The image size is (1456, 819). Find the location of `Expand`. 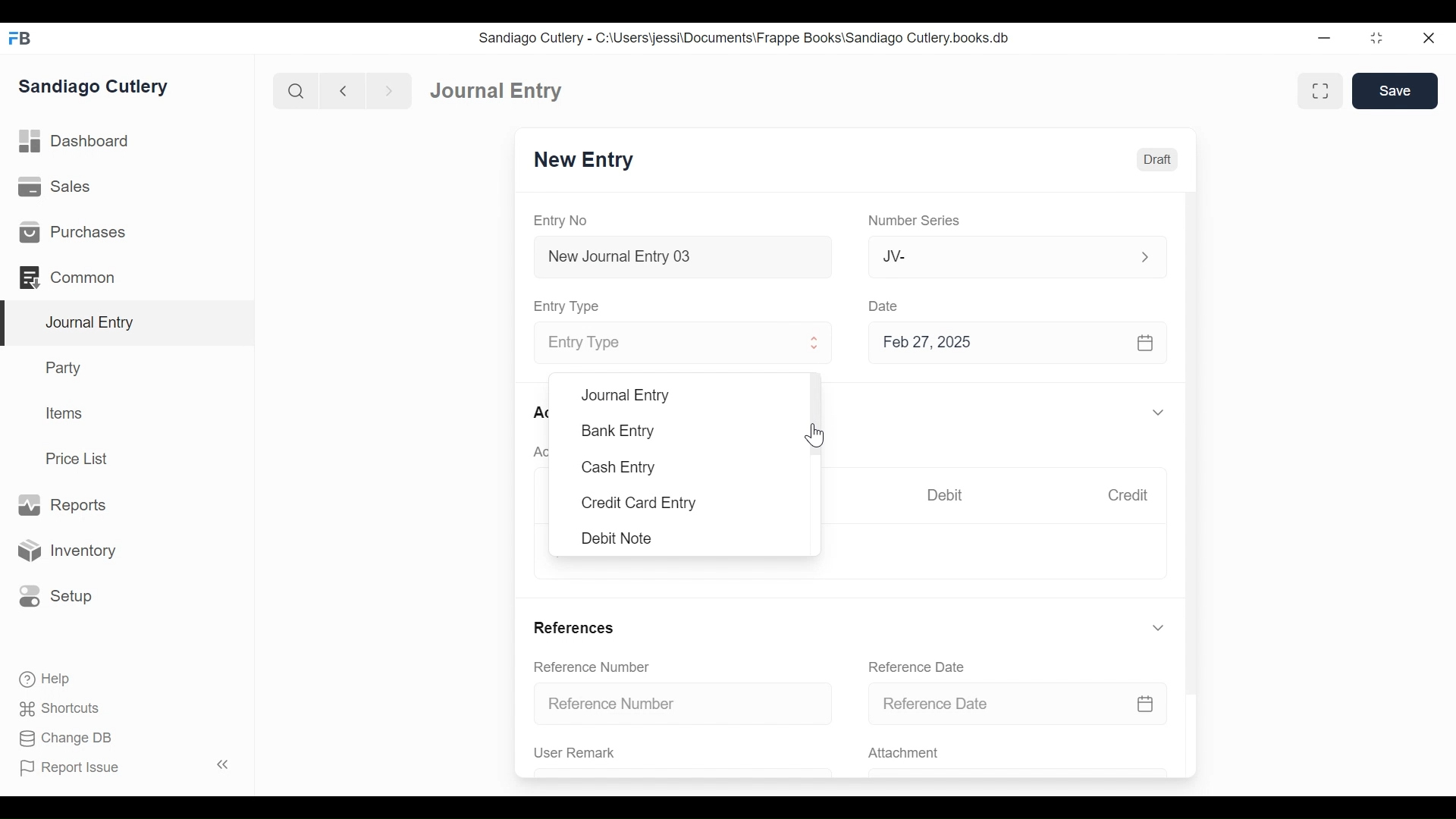

Expand is located at coordinates (816, 344).